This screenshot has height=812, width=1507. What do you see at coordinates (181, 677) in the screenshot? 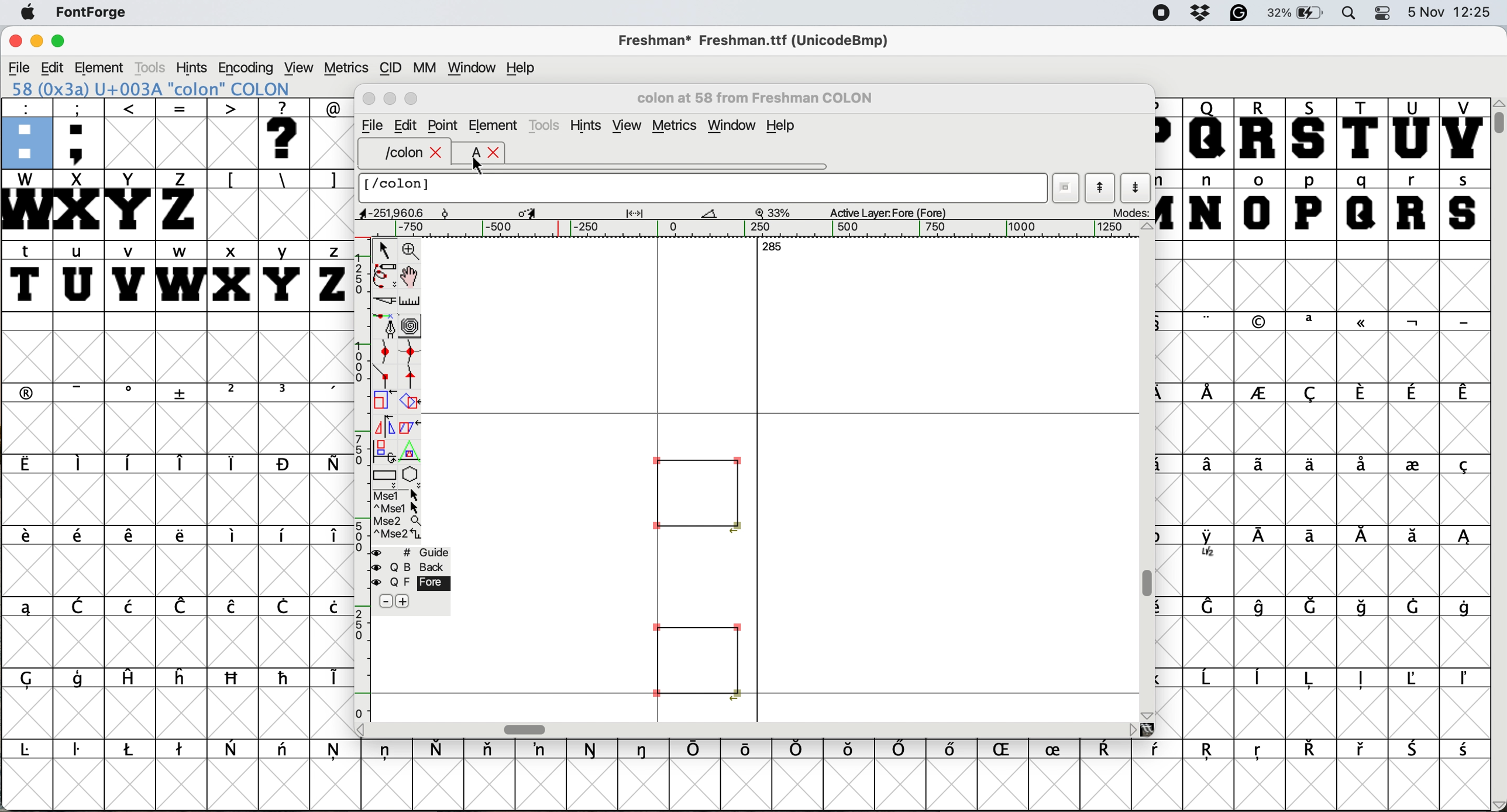
I see `symbol` at bounding box center [181, 677].